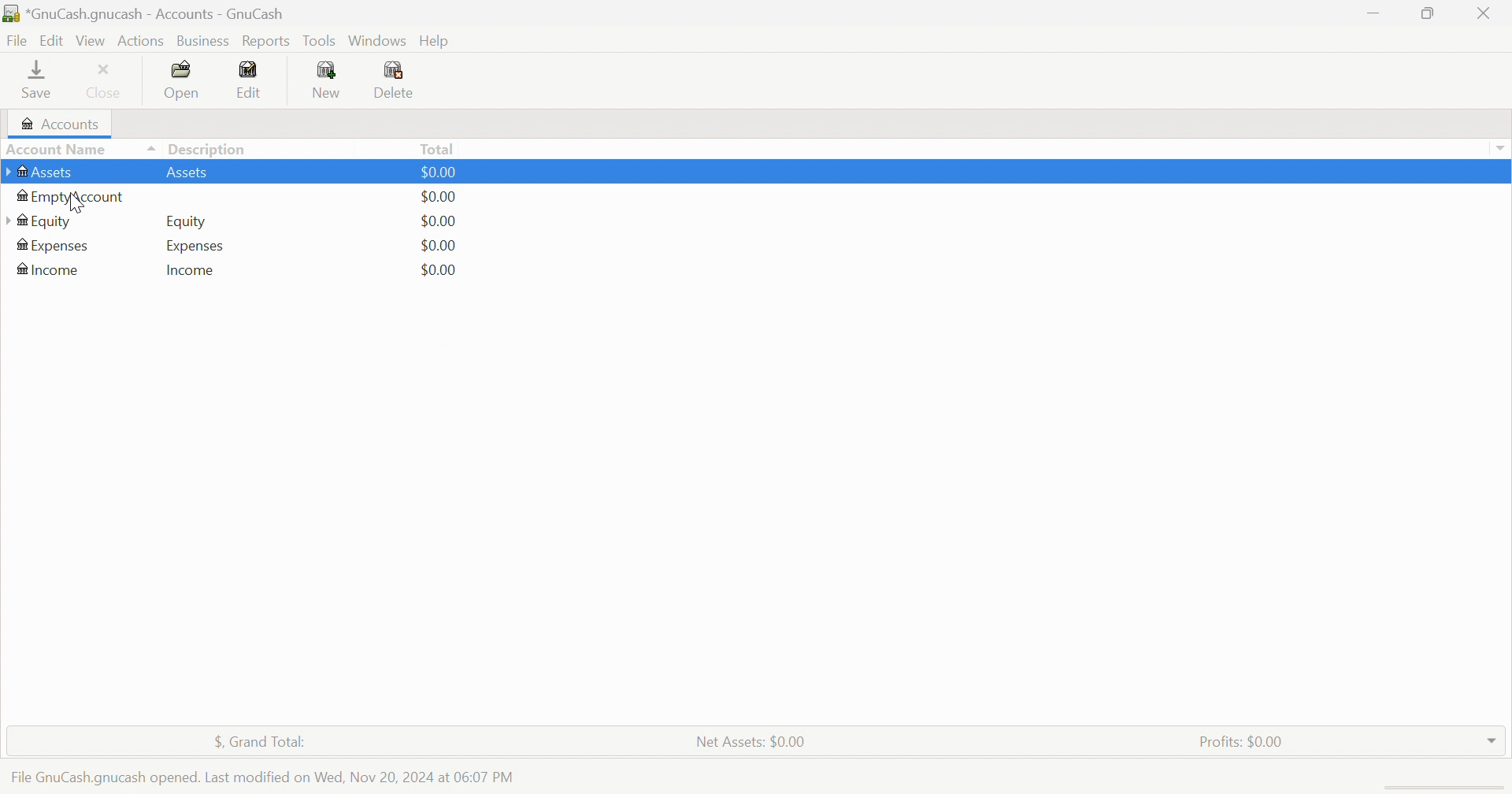  I want to click on Windows, so click(380, 42).